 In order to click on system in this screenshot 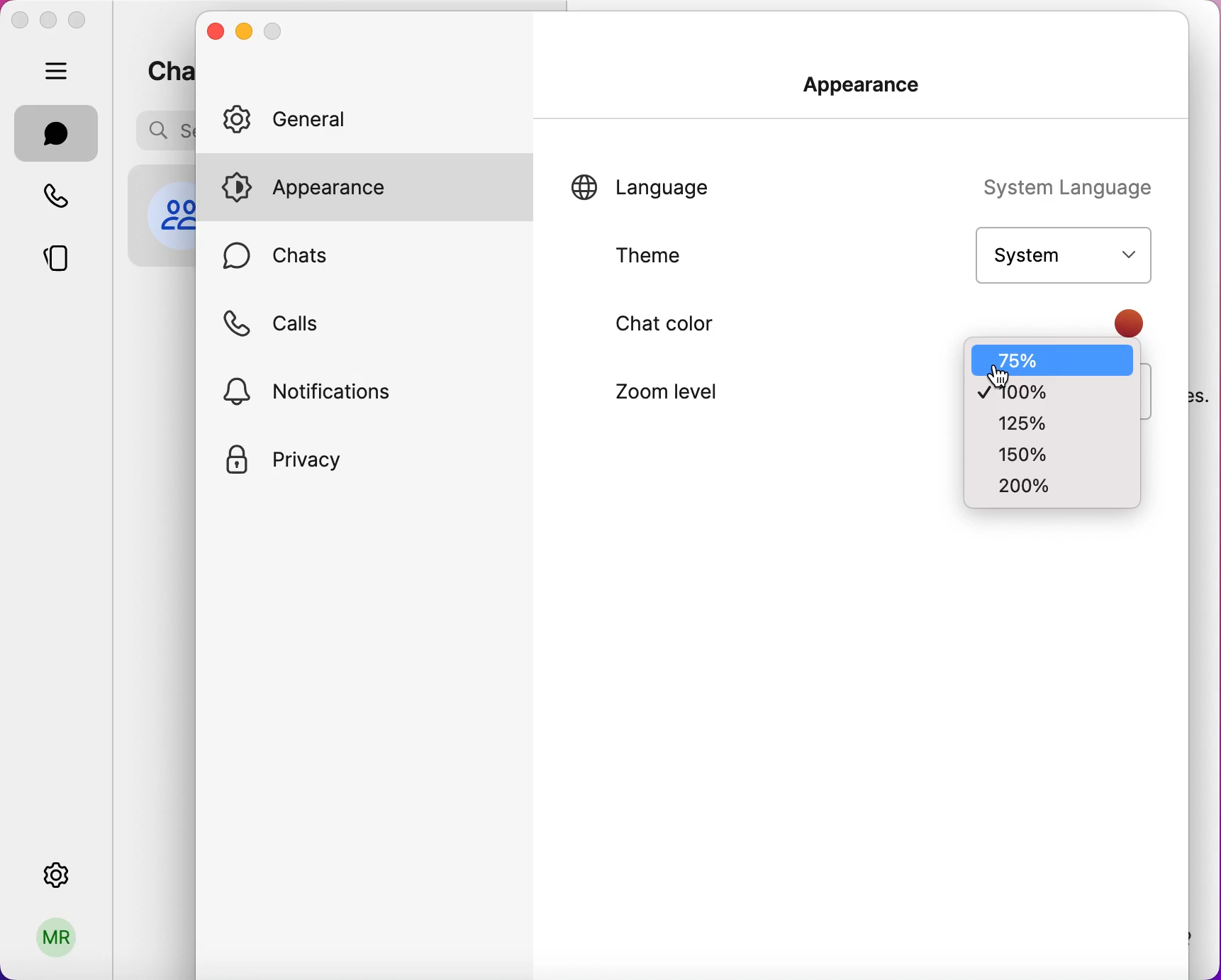, I will do `click(1054, 255)`.